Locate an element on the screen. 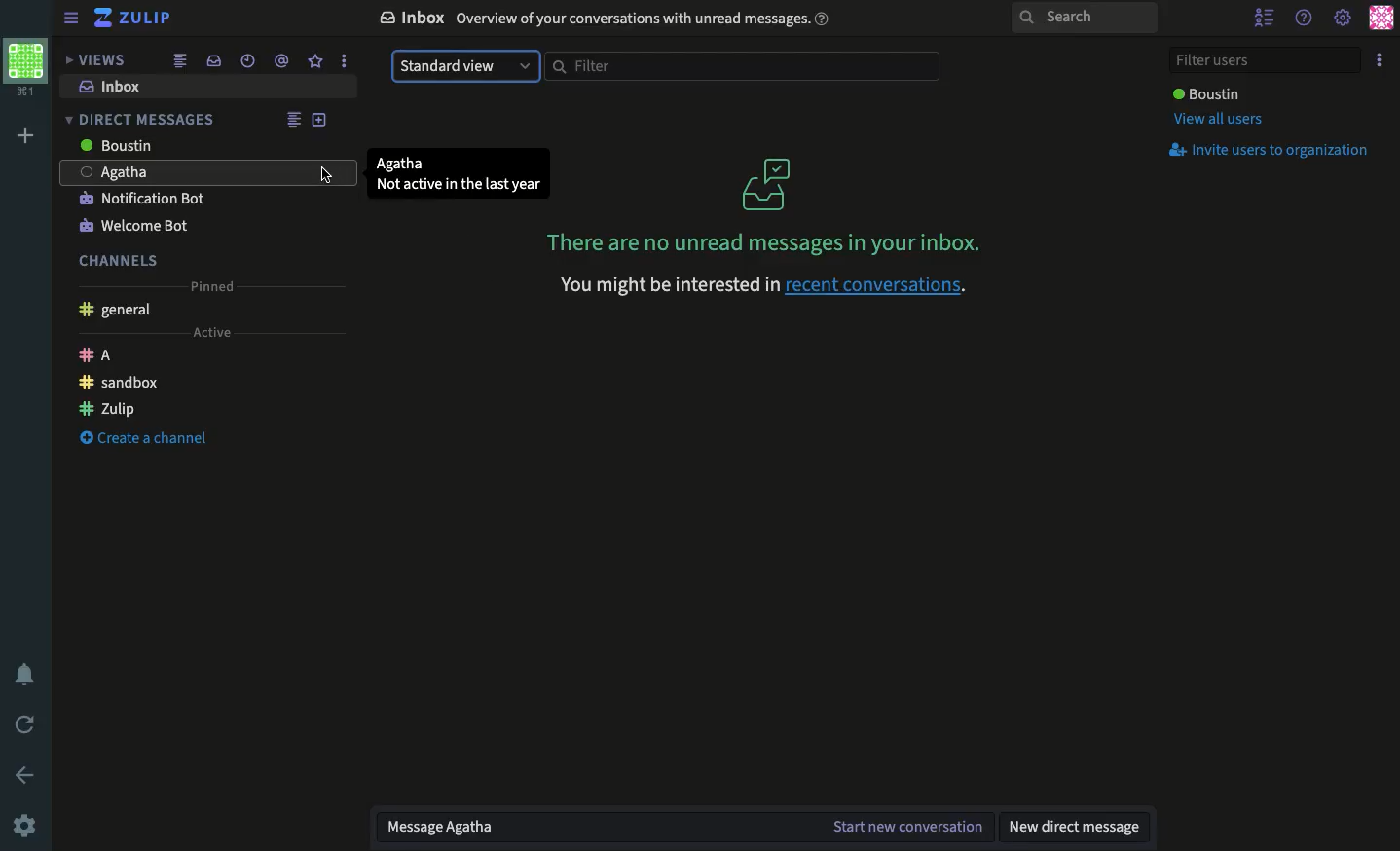 The image size is (1400, 851). Message is located at coordinates (687, 827).